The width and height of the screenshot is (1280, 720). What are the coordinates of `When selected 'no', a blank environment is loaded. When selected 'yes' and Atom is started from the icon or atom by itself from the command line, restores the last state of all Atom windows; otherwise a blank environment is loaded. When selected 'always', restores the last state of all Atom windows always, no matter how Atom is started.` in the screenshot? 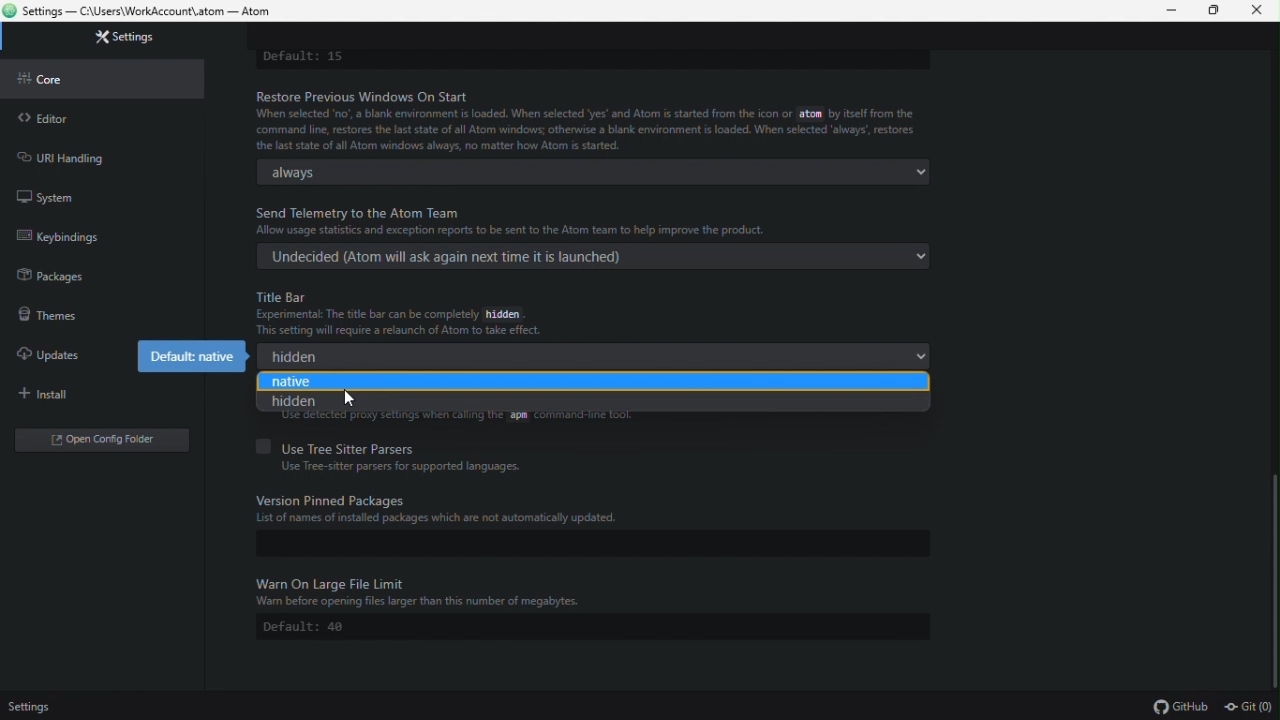 It's located at (585, 130).